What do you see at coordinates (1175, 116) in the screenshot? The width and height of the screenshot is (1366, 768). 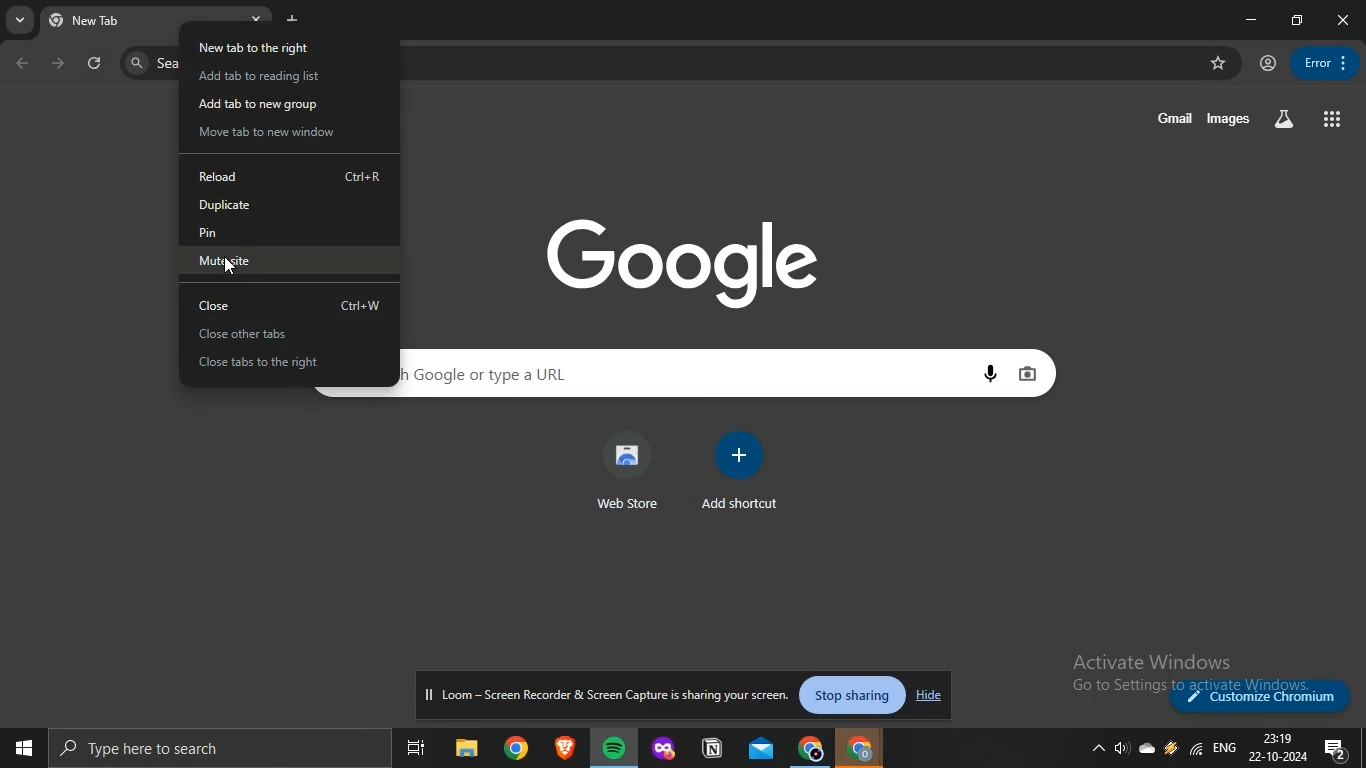 I see `gmail` at bounding box center [1175, 116].